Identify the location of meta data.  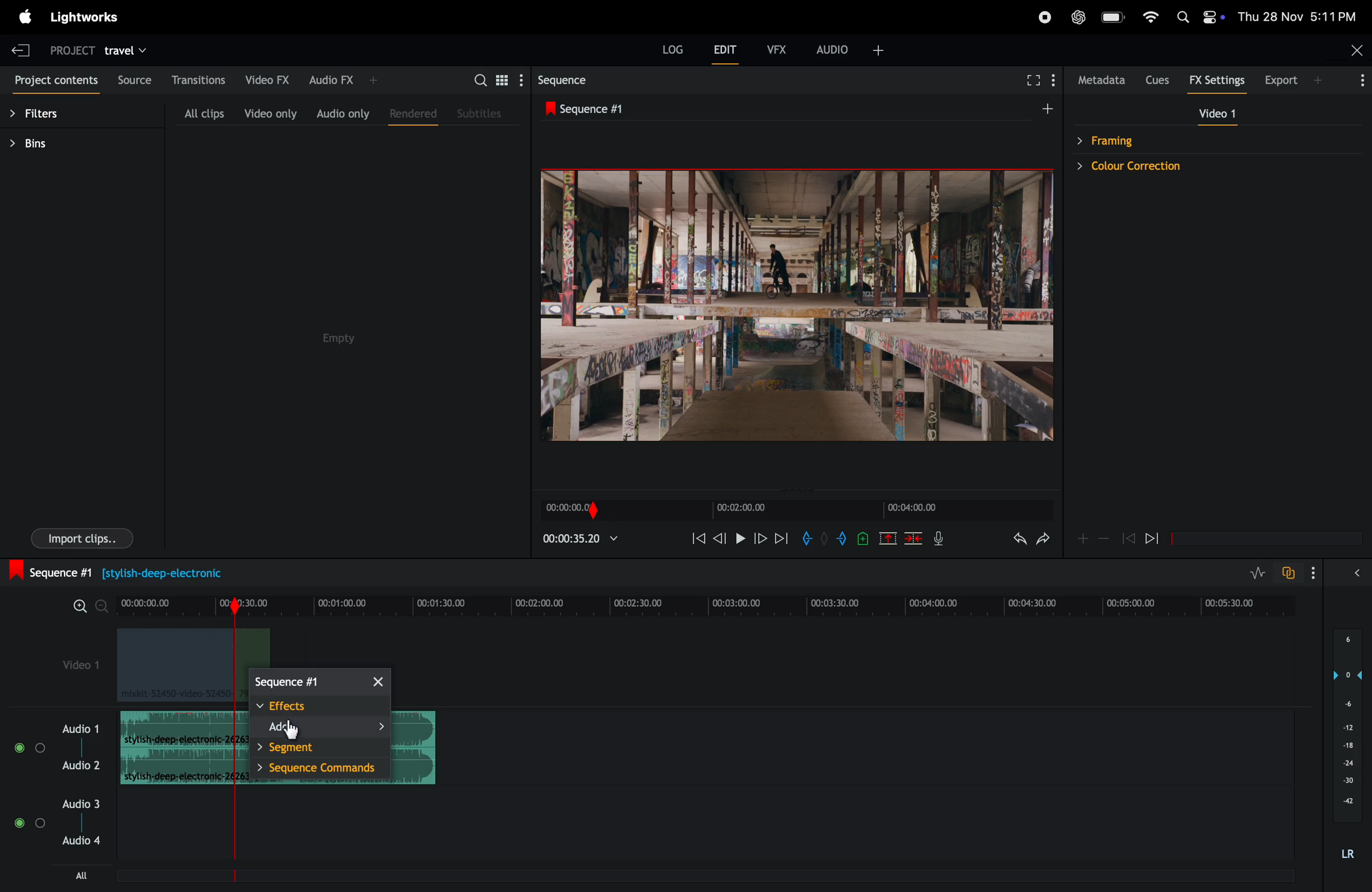
(1099, 81).